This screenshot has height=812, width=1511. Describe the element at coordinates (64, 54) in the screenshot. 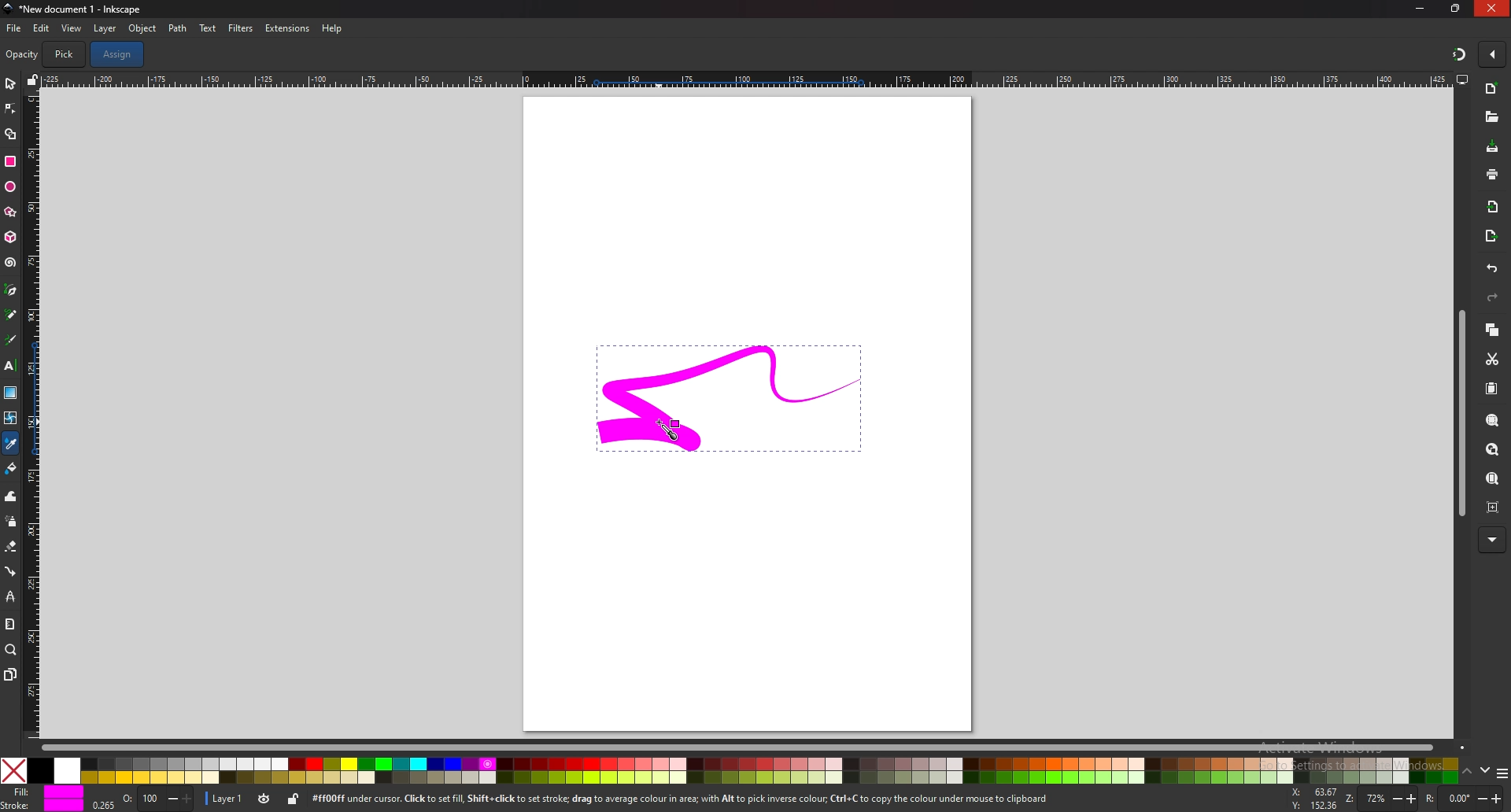

I see `pick` at that location.